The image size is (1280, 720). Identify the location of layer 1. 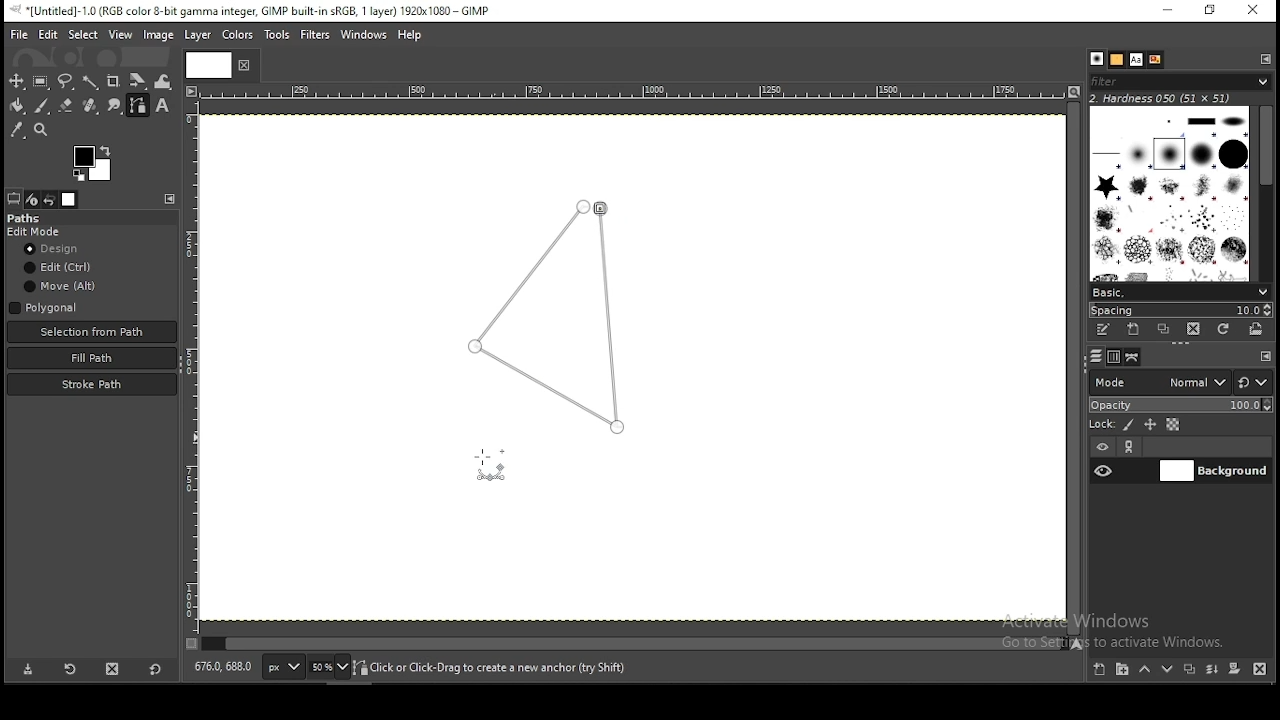
(1213, 471).